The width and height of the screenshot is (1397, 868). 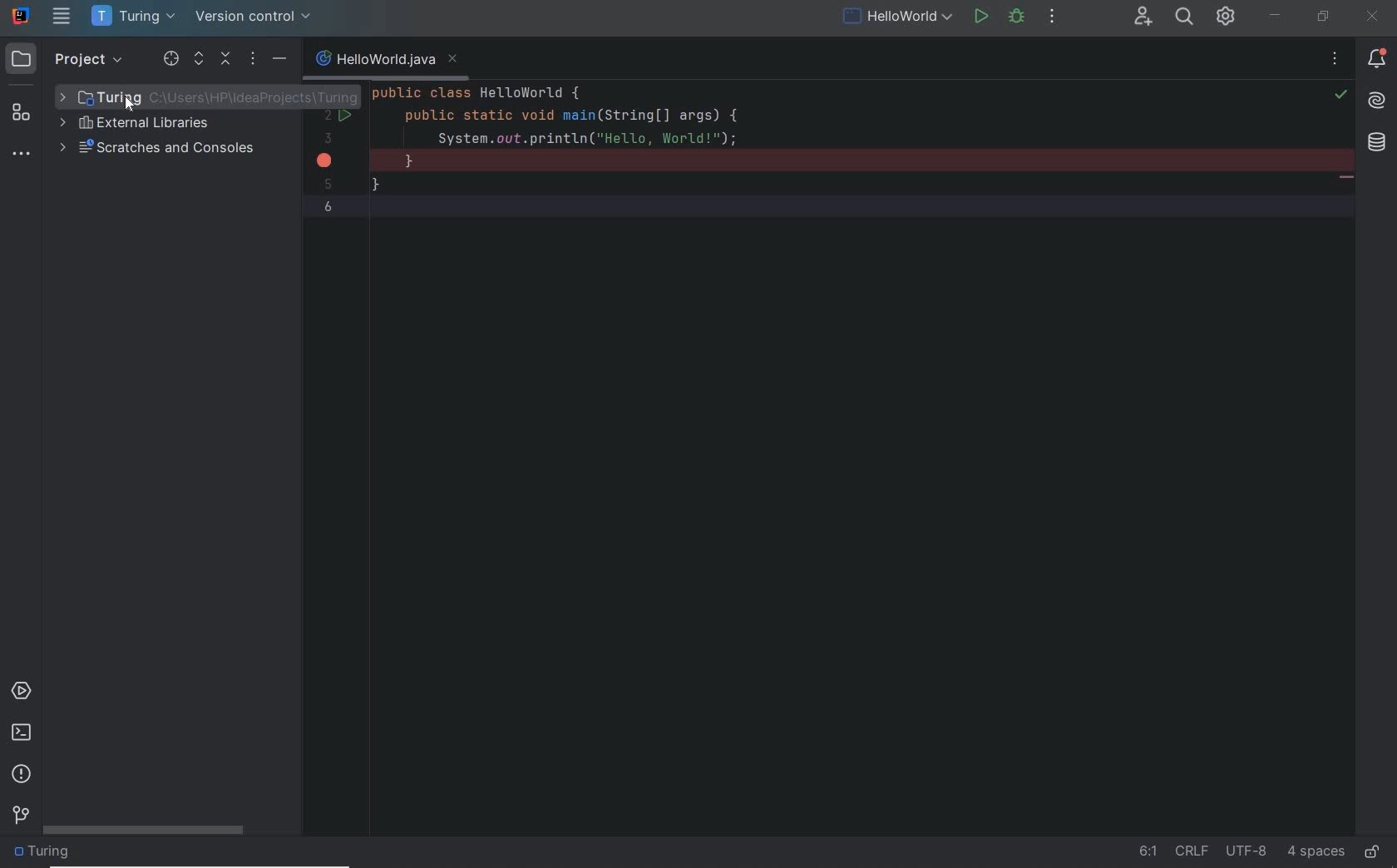 What do you see at coordinates (23, 106) in the screenshot?
I see `structure` at bounding box center [23, 106].